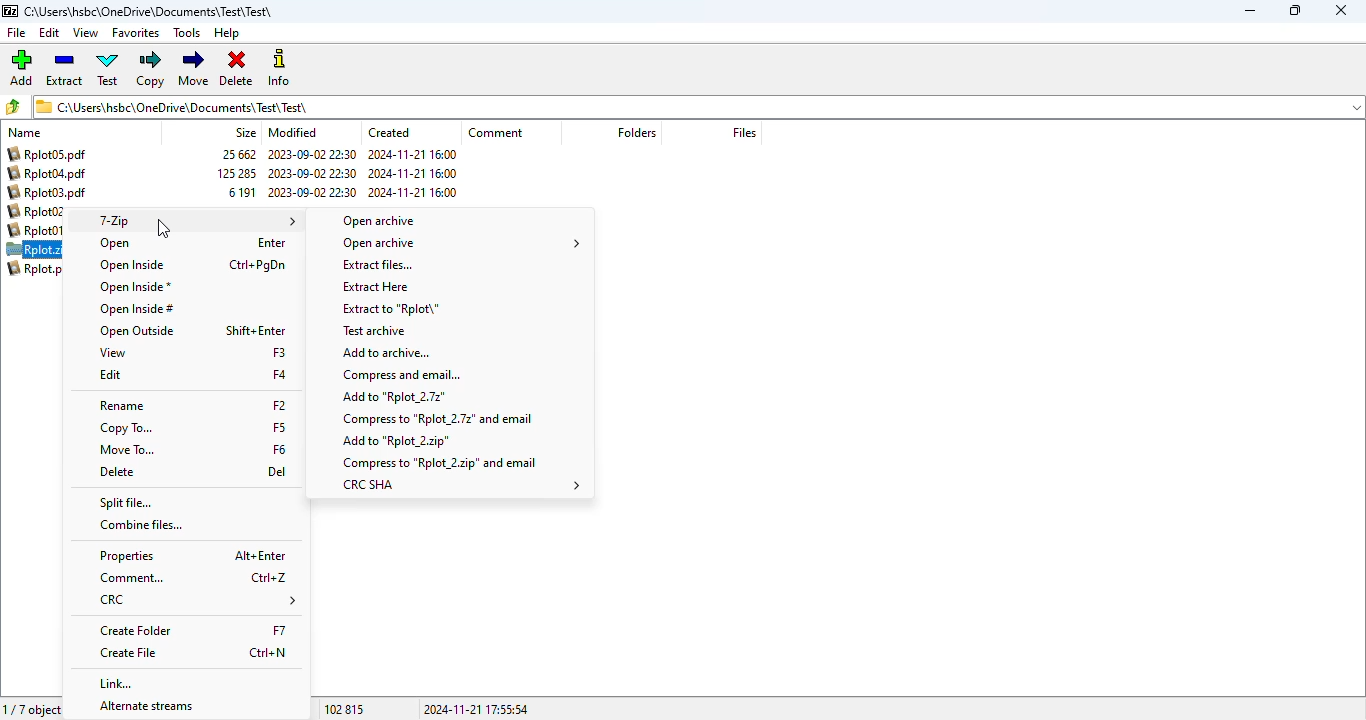 The height and width of the screenshot is (720, 1366). What do you see at coordinates (438, 419) in the screenshot?
I see `compress to "Rplot_2.7z" file and email` at bounding box center [438, 419].